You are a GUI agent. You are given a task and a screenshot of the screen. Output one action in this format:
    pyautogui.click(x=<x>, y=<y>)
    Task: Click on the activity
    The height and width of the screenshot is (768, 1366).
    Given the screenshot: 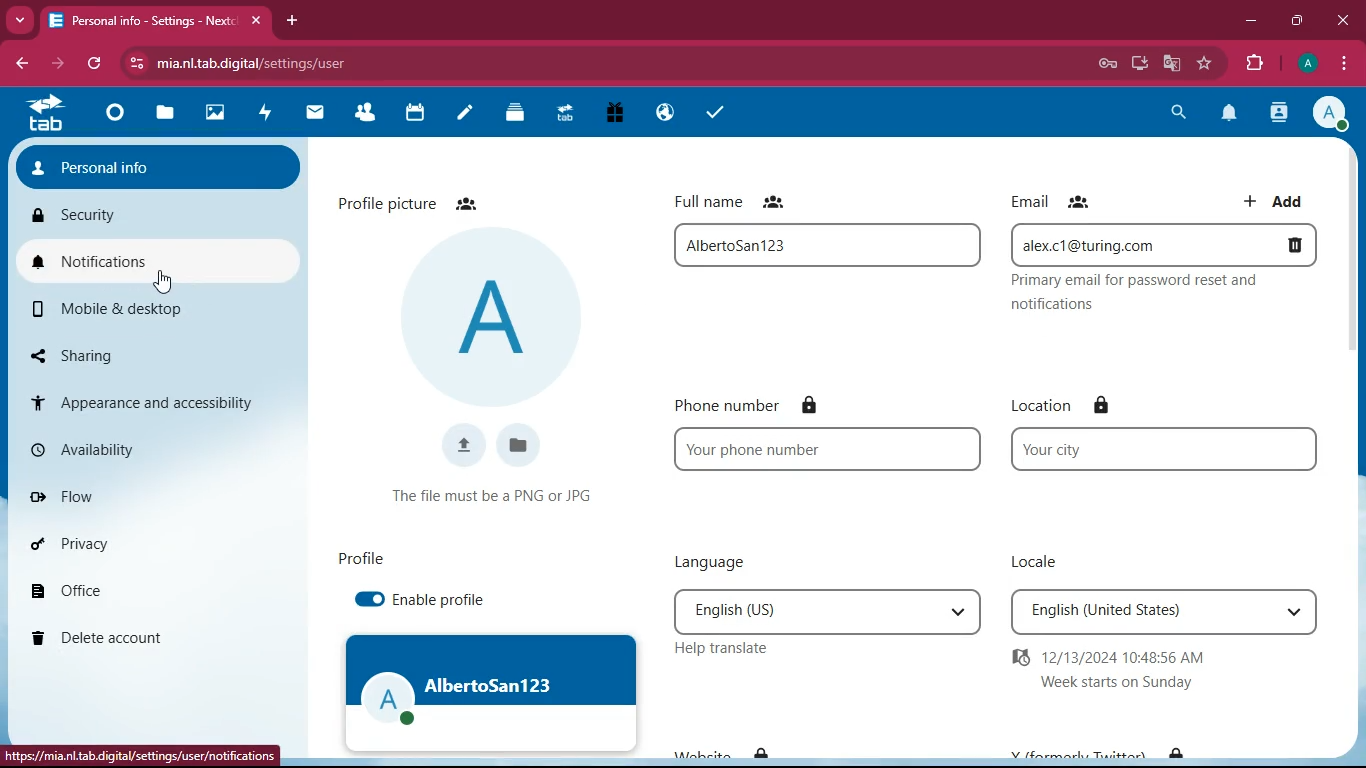 What is the action you would take?
    pyautogui.click(x=266, y=115)
    